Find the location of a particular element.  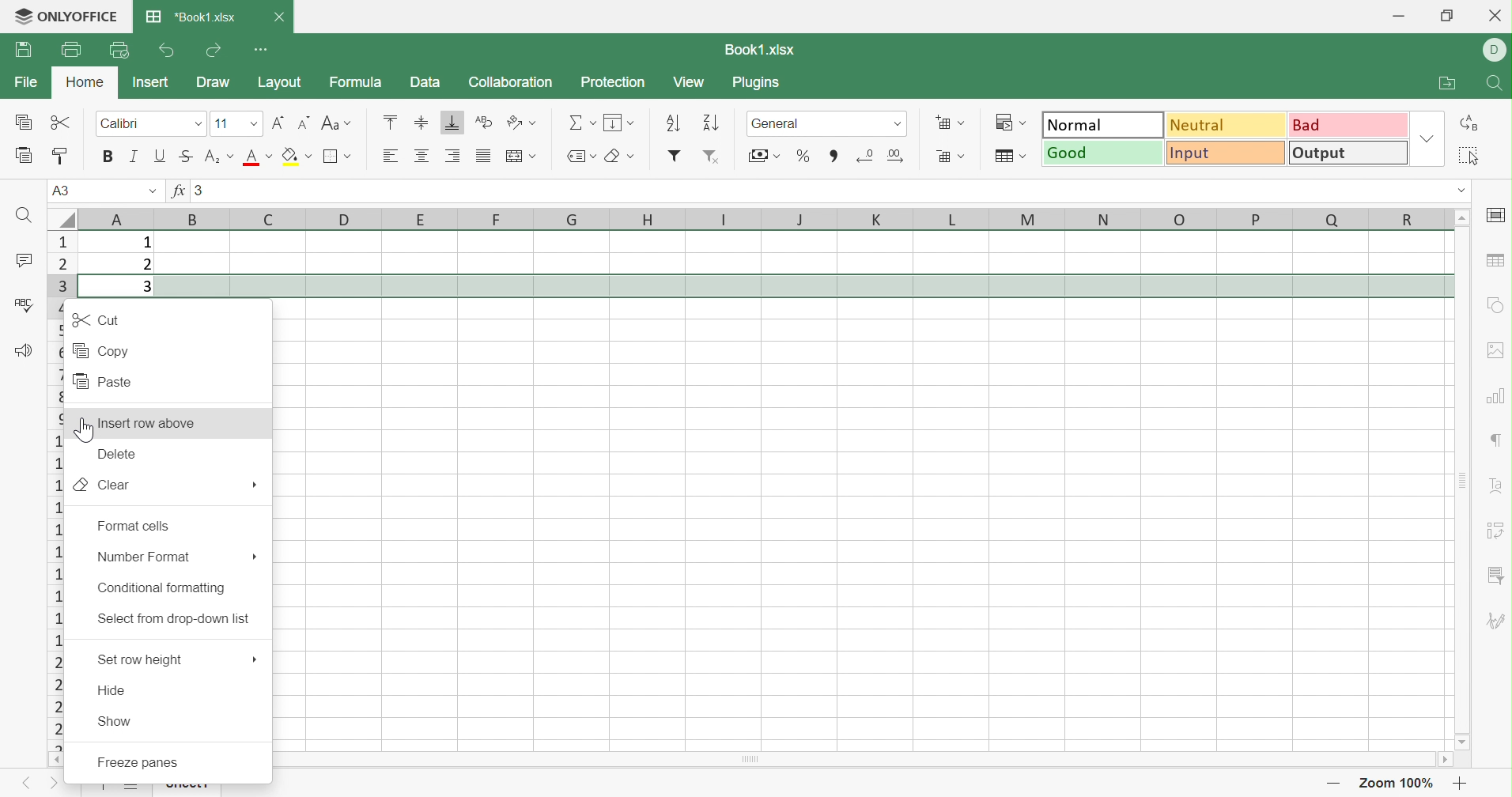

Restore Down is located at coordinates (1447, 15).